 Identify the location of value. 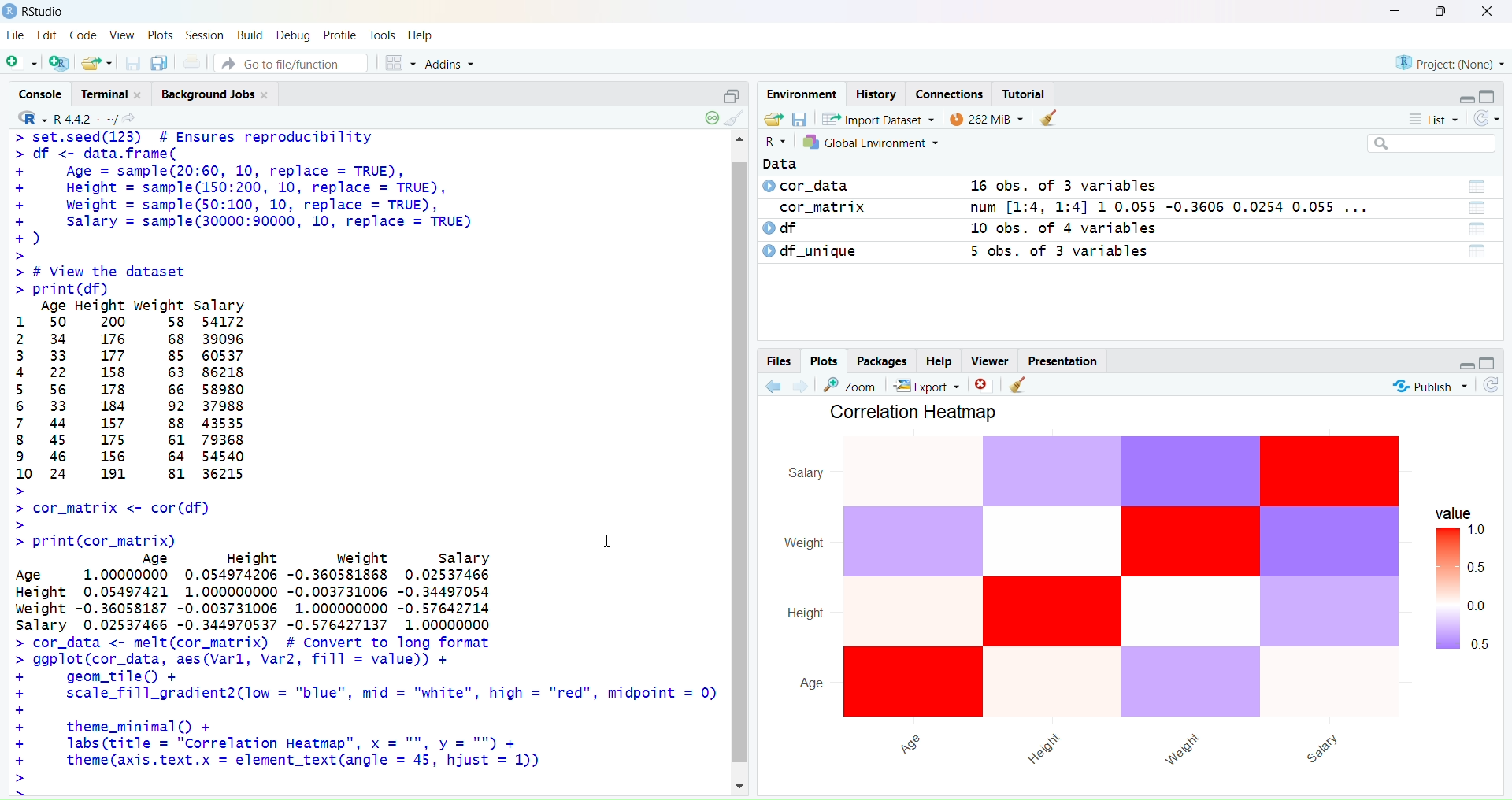
(1449, 513).